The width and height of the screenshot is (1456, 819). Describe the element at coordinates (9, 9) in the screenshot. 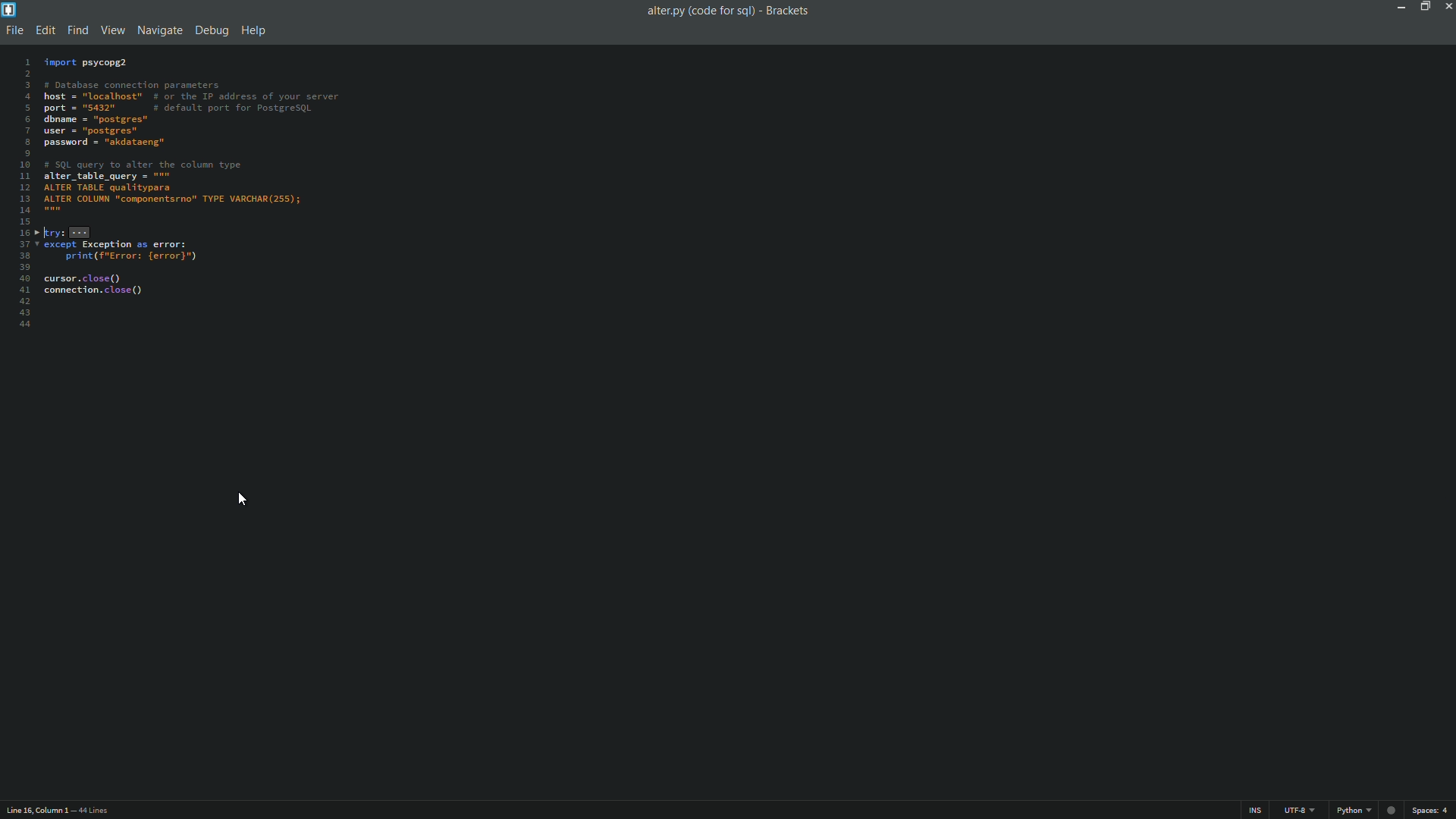

I see `app icon` at that location.